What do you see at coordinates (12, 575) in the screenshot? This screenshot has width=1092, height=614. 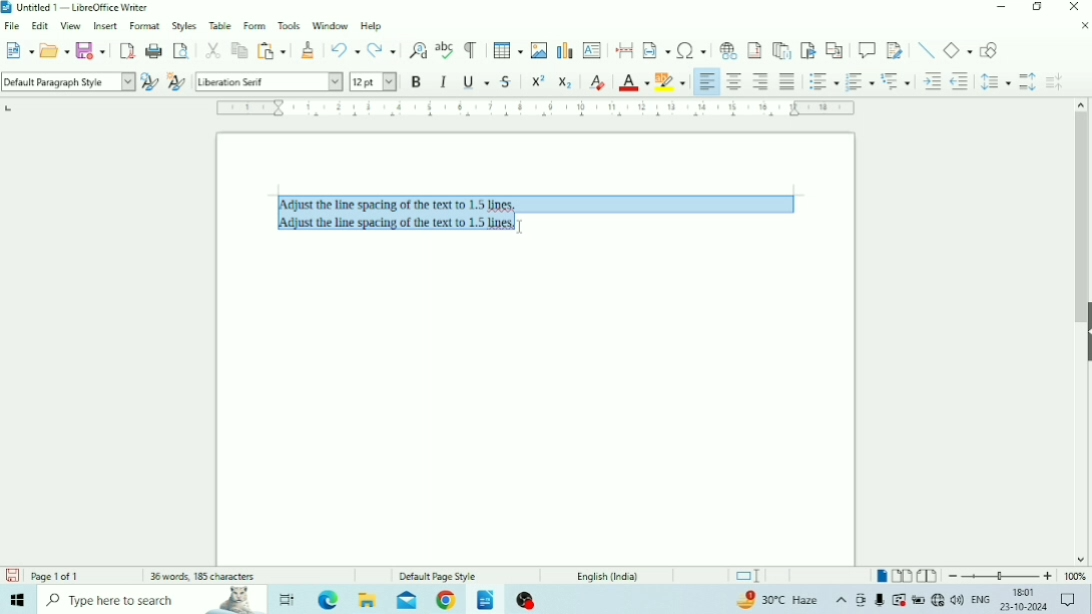 I see `Save` at bounding box center [12, 575].